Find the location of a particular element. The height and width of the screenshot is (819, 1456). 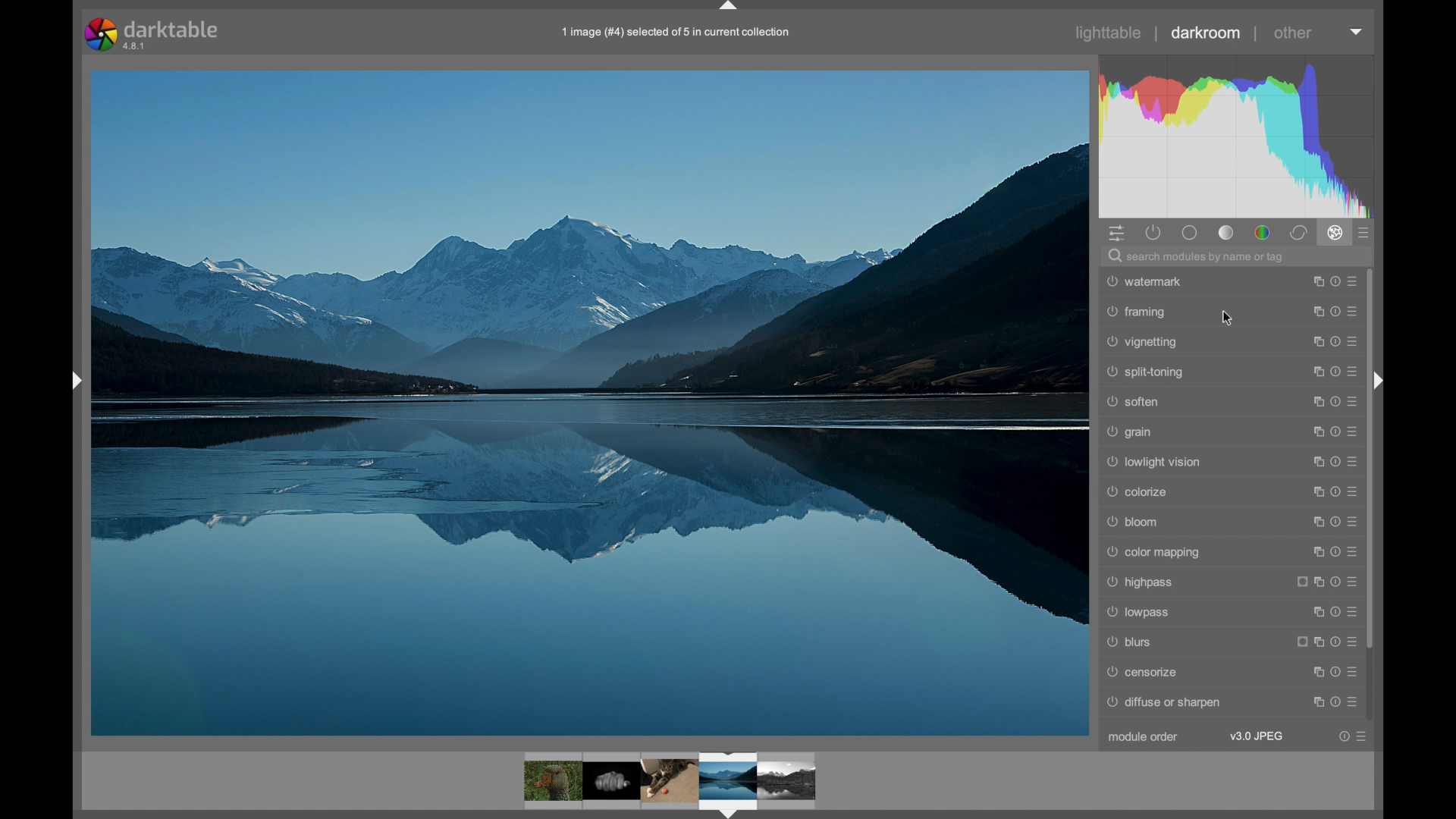

more options is located at coordinates (1326, 582).